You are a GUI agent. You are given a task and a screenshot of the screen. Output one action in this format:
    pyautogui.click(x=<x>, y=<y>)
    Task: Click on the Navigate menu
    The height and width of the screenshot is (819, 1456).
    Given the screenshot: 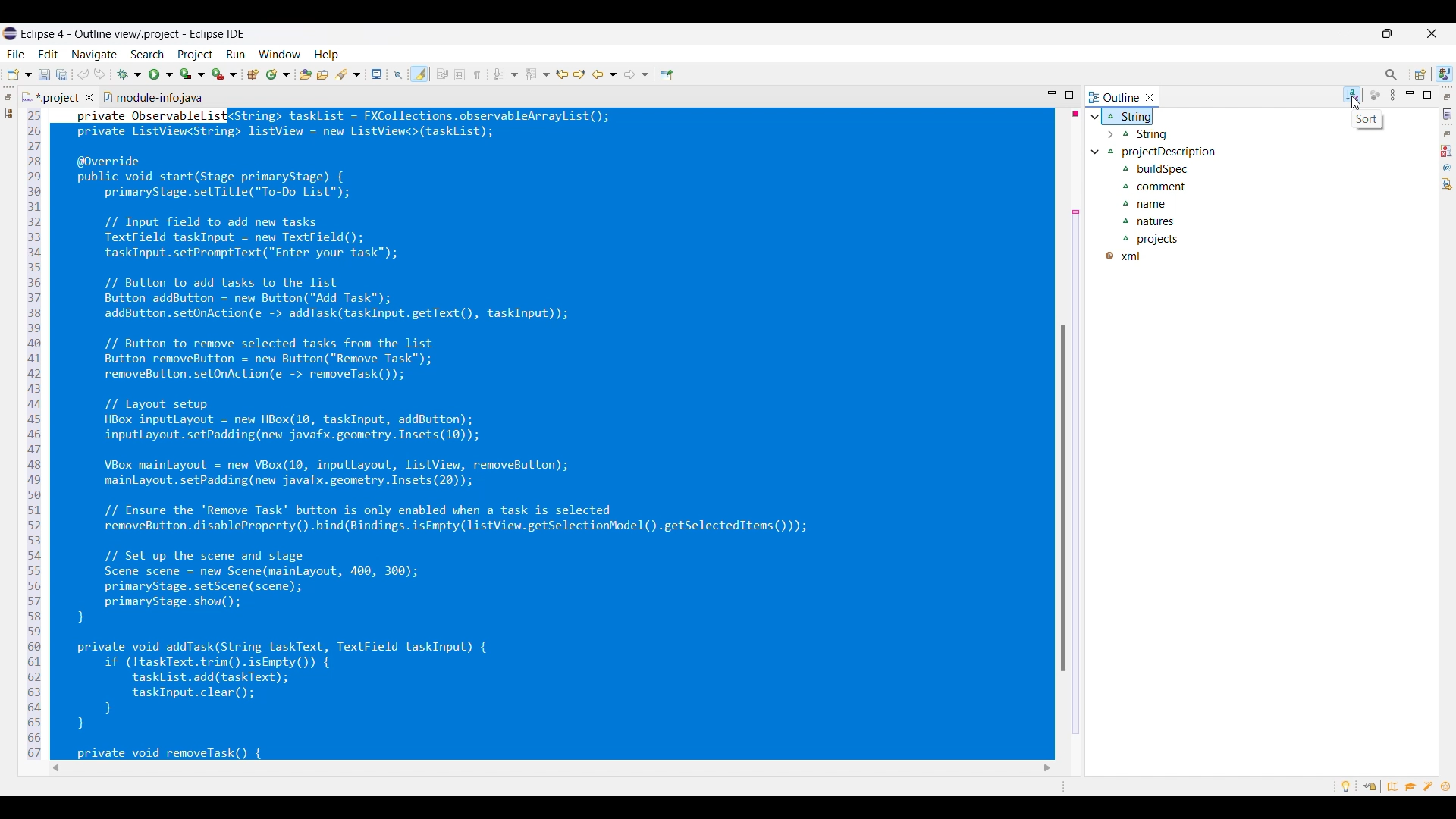 What is the action you would take?
    pyautogui.click(x=94, y=55)
    